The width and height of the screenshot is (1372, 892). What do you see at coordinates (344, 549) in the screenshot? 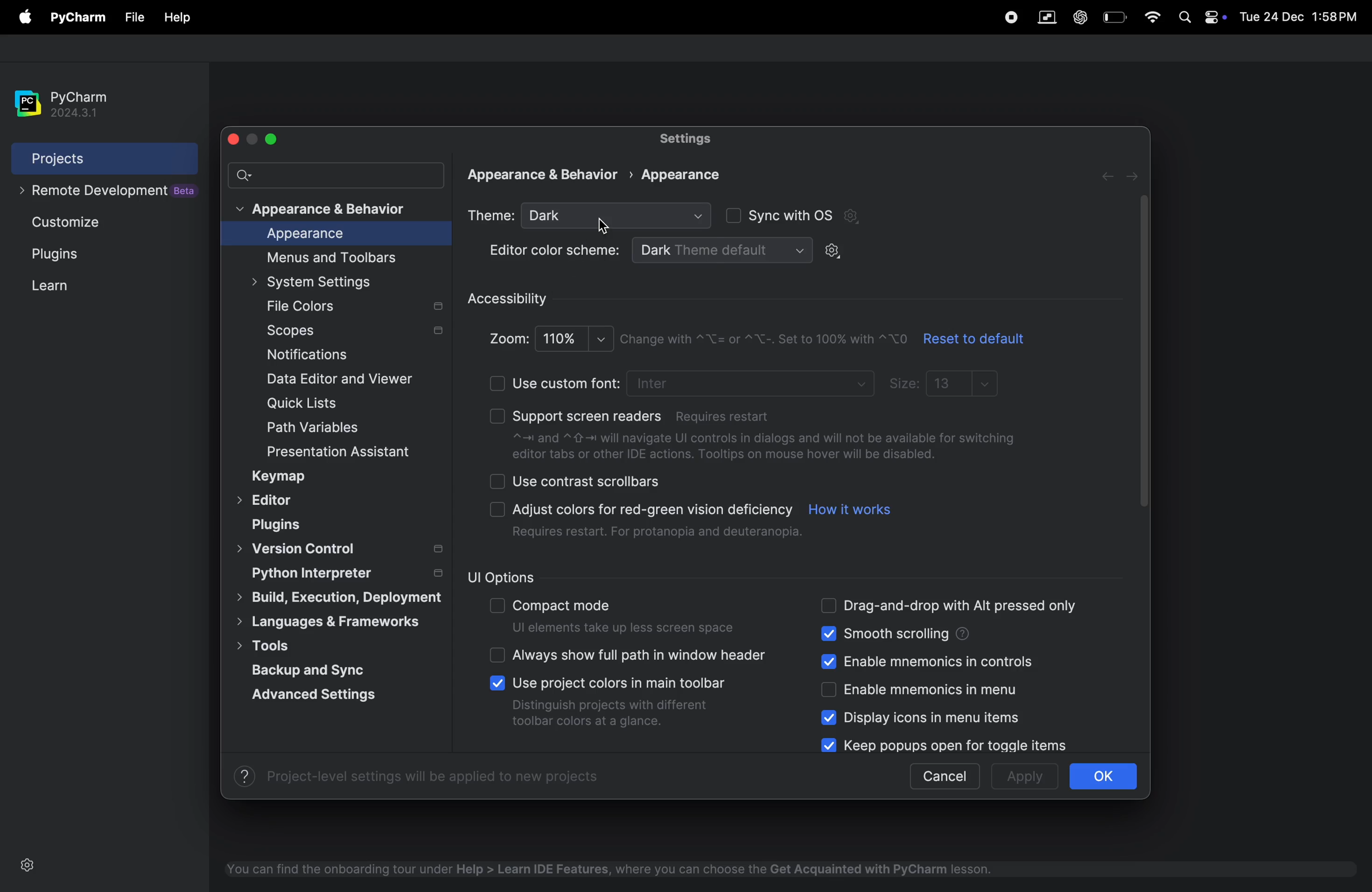
I see `version controls` at bounding box center [344, 549].